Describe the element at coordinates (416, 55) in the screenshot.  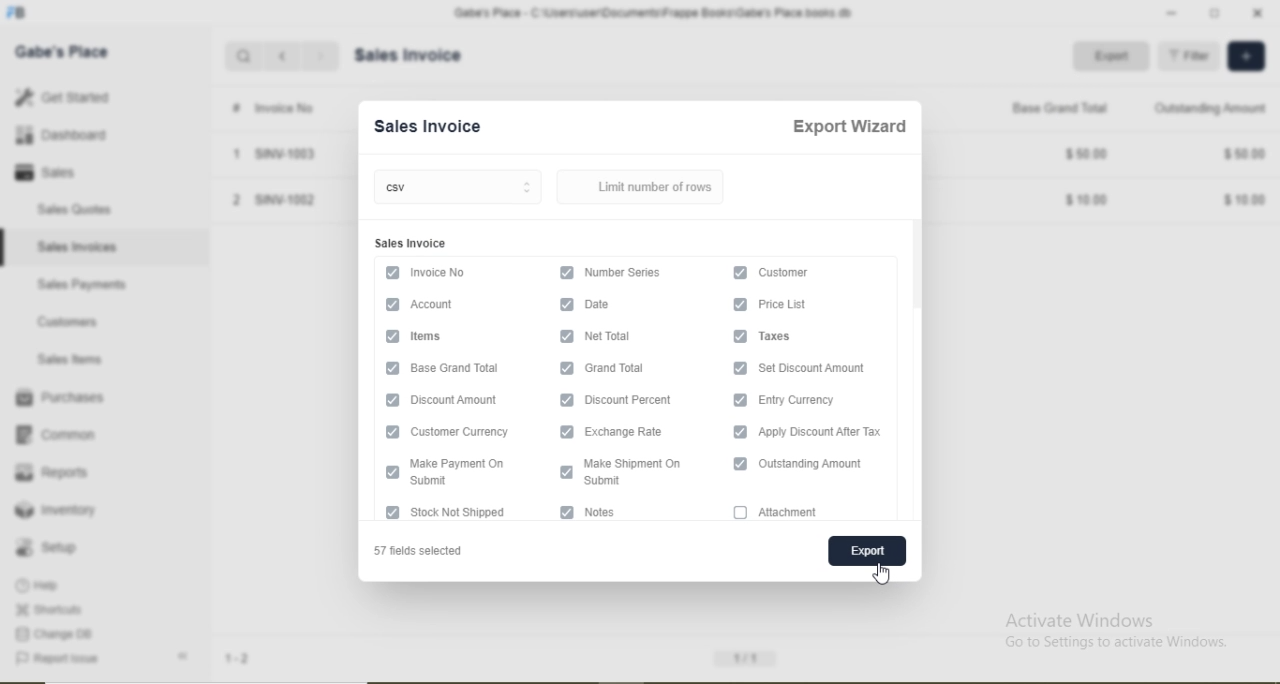
I see `Sales Invoice` at that location.